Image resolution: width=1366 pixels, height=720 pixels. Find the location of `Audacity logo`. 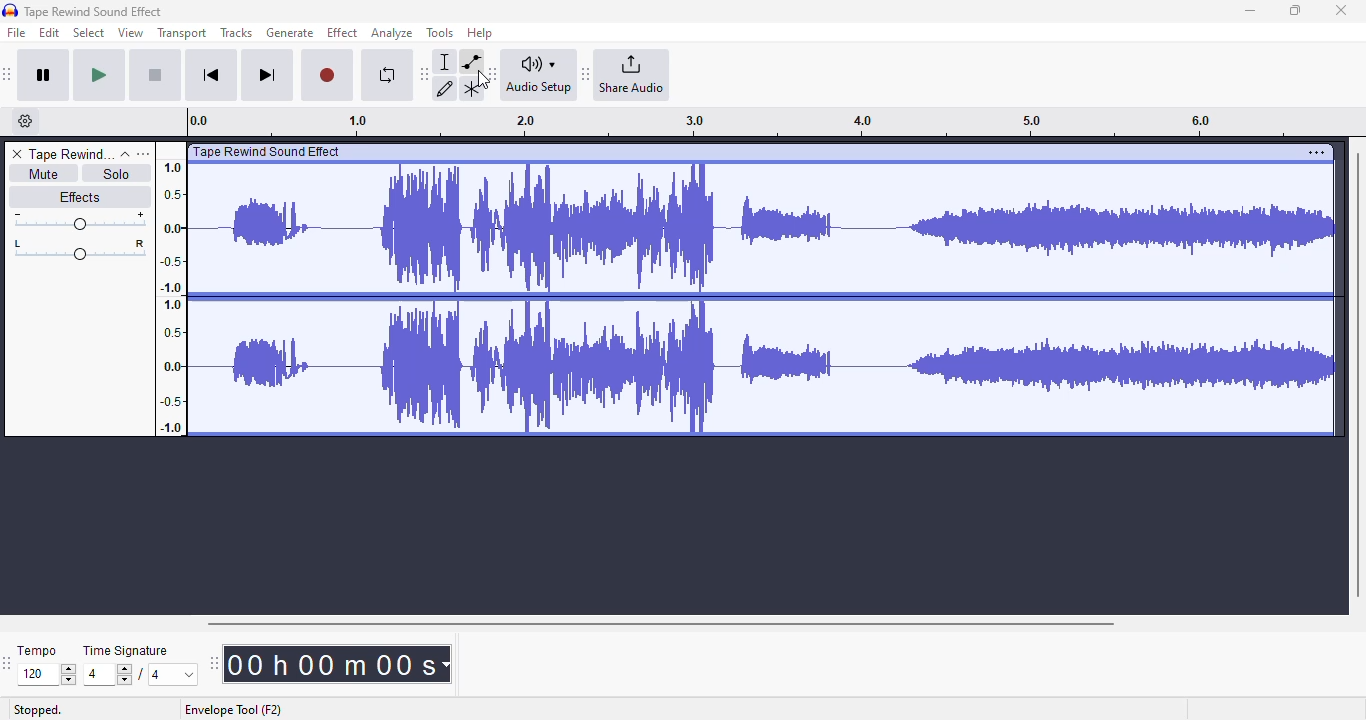

Audacity logo is located at coordinates (10, 11).